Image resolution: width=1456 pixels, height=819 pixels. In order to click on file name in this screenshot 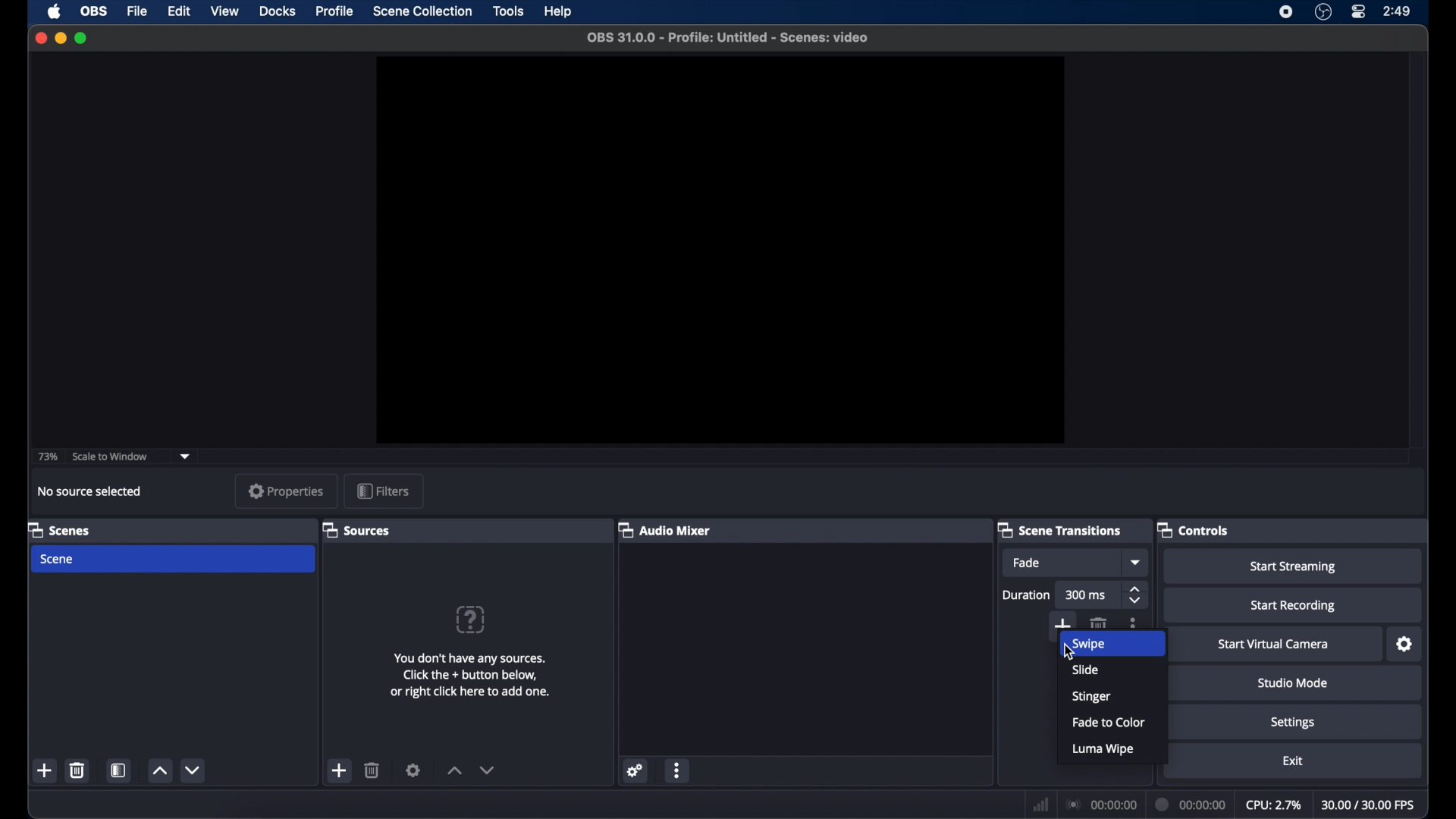, I will do `click(727, 37)`.